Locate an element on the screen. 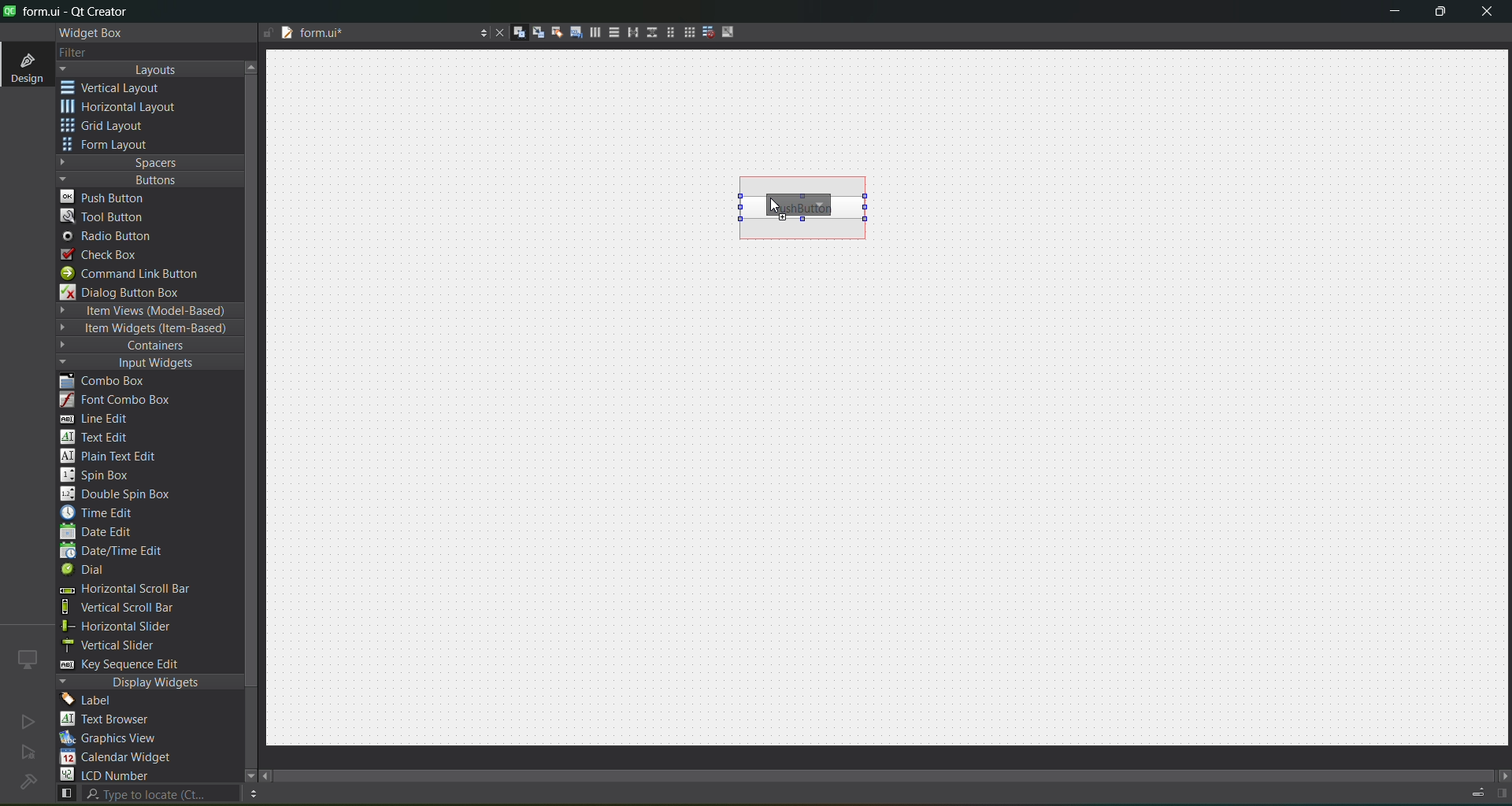 The width and height of the screenshot is (1512, 806). grid is located at coordinates (113, 128).